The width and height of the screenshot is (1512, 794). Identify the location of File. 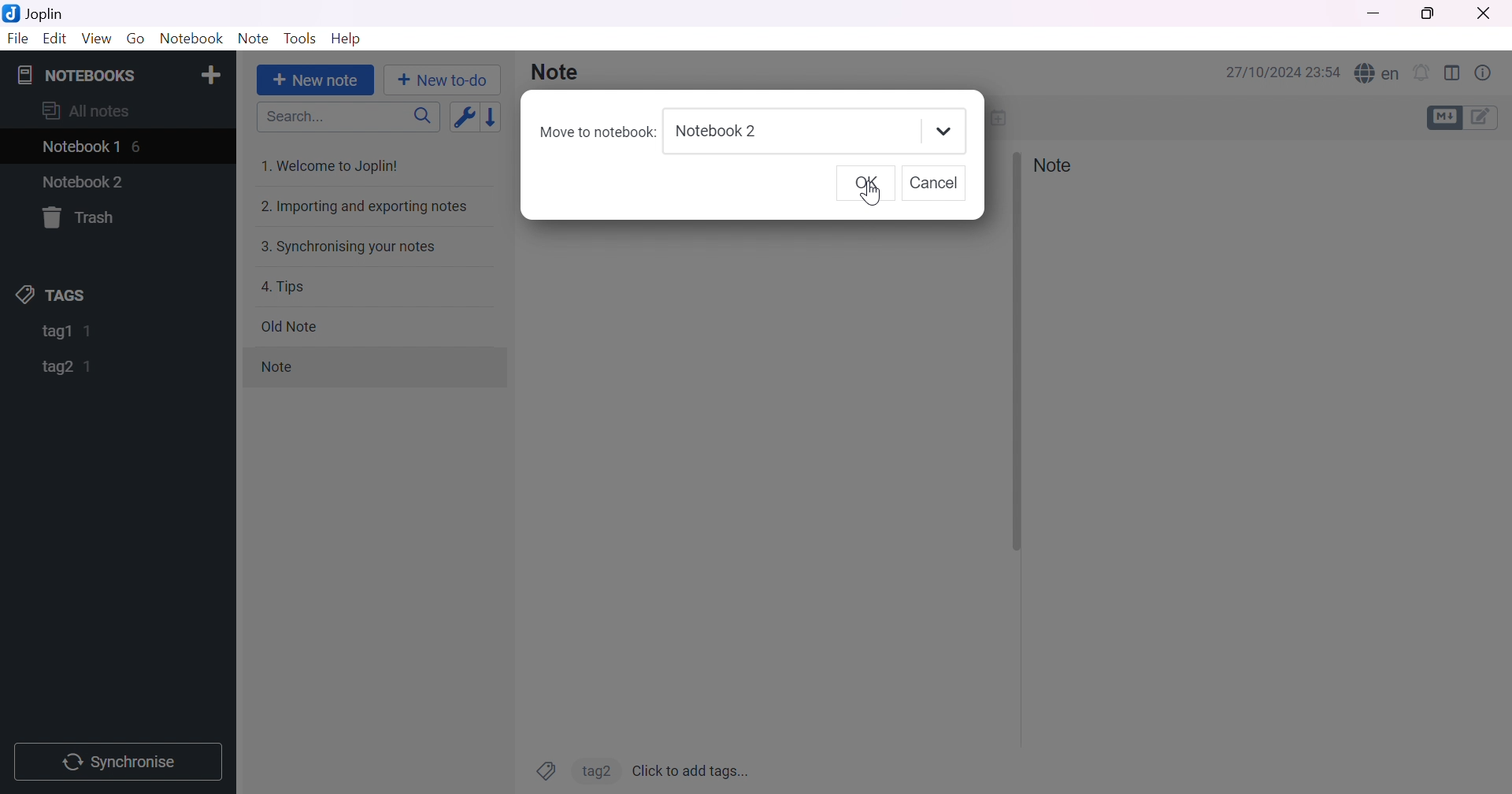
(16, 39).